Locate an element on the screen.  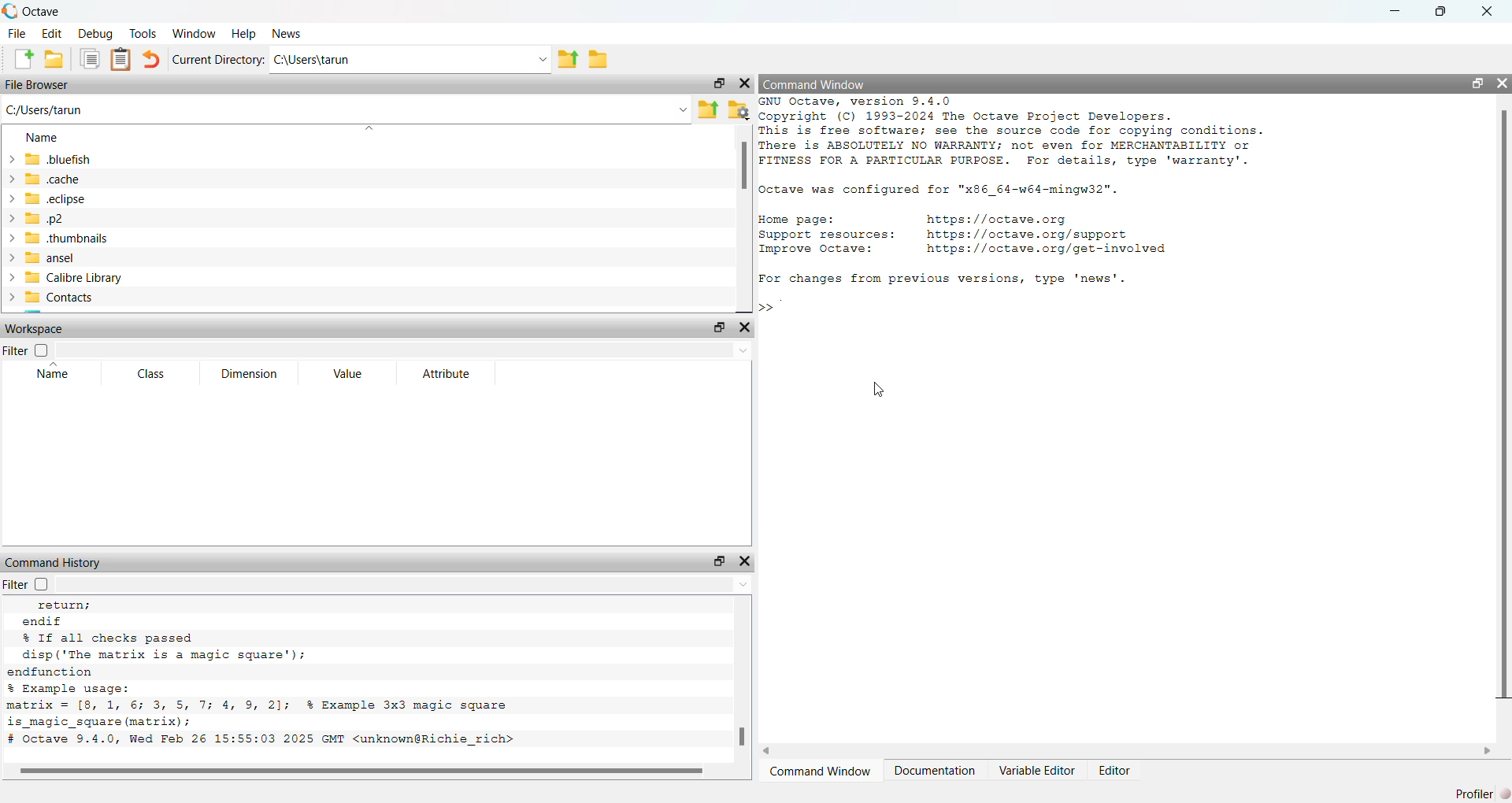
Previous Folder is located at coordinates (706, 111).